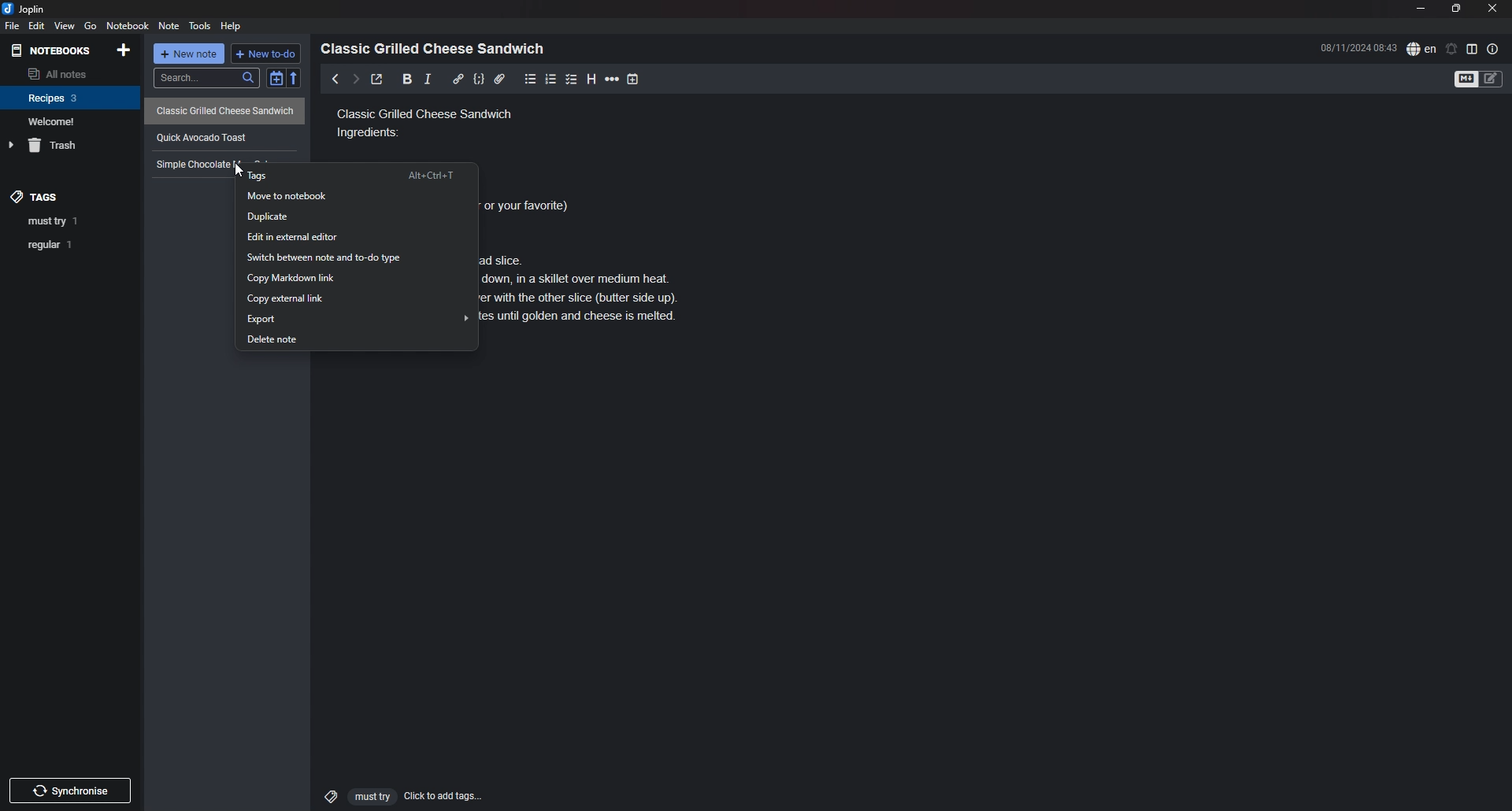 The height and width of the screenshot is (811, 1512). I want to click on add time, so click(635, 79).